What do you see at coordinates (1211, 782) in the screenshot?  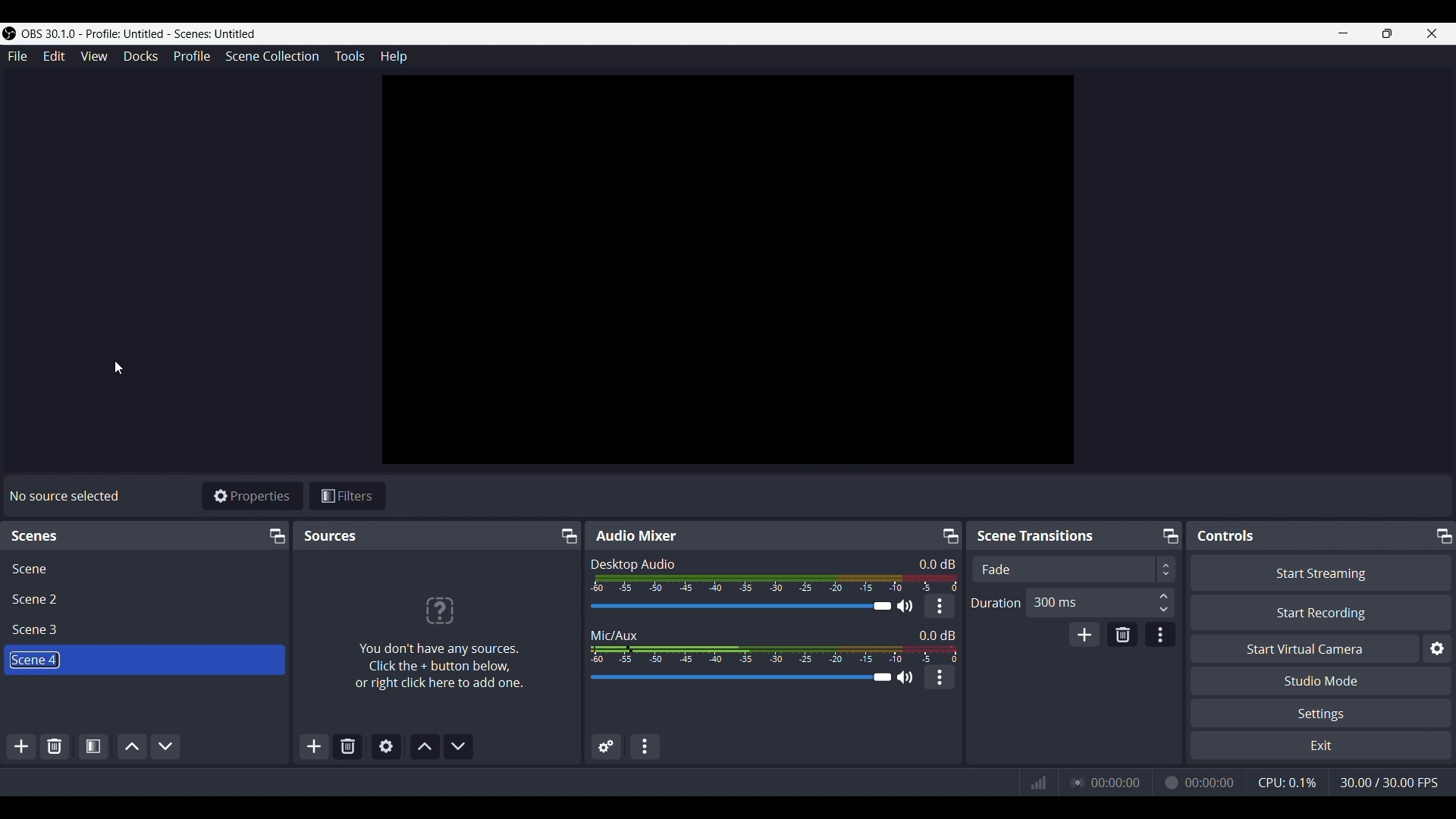 I see `Recording Timer` at bounding box center [1211, 782].